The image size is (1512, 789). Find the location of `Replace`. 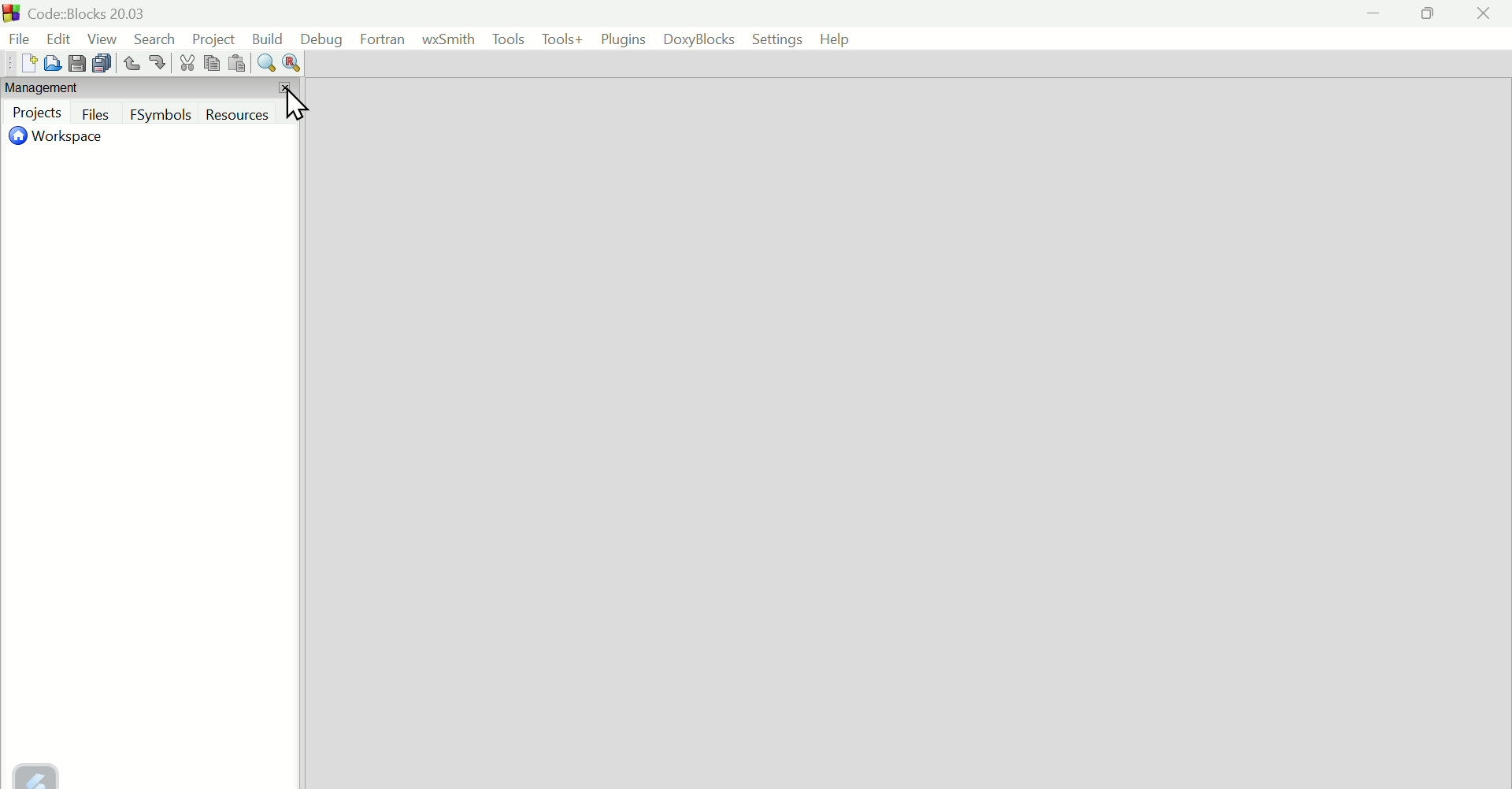

Replace is located at coordinates (292, 63).